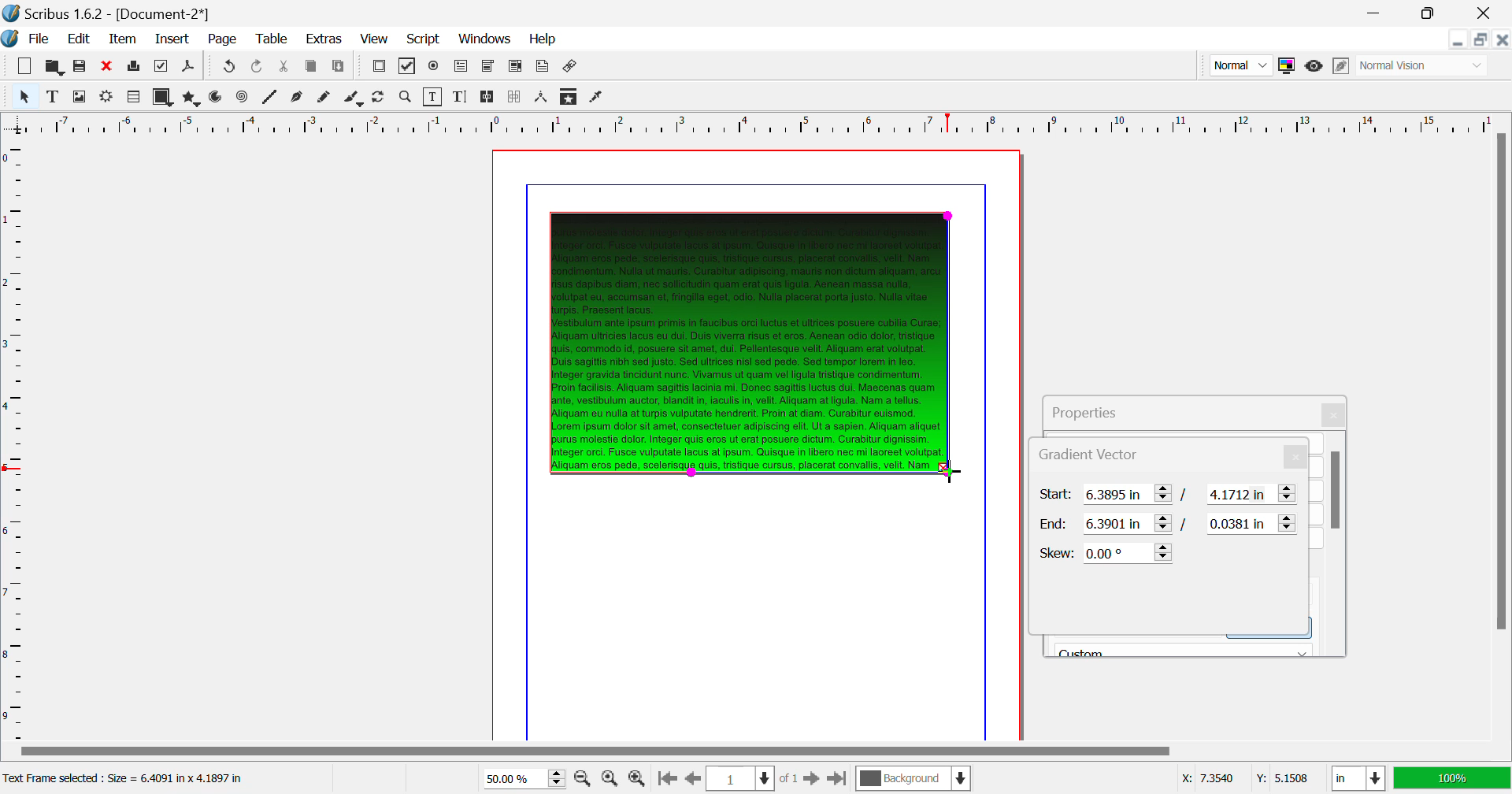  I want to click on Gradient Vector Start, so click(1169, 495).